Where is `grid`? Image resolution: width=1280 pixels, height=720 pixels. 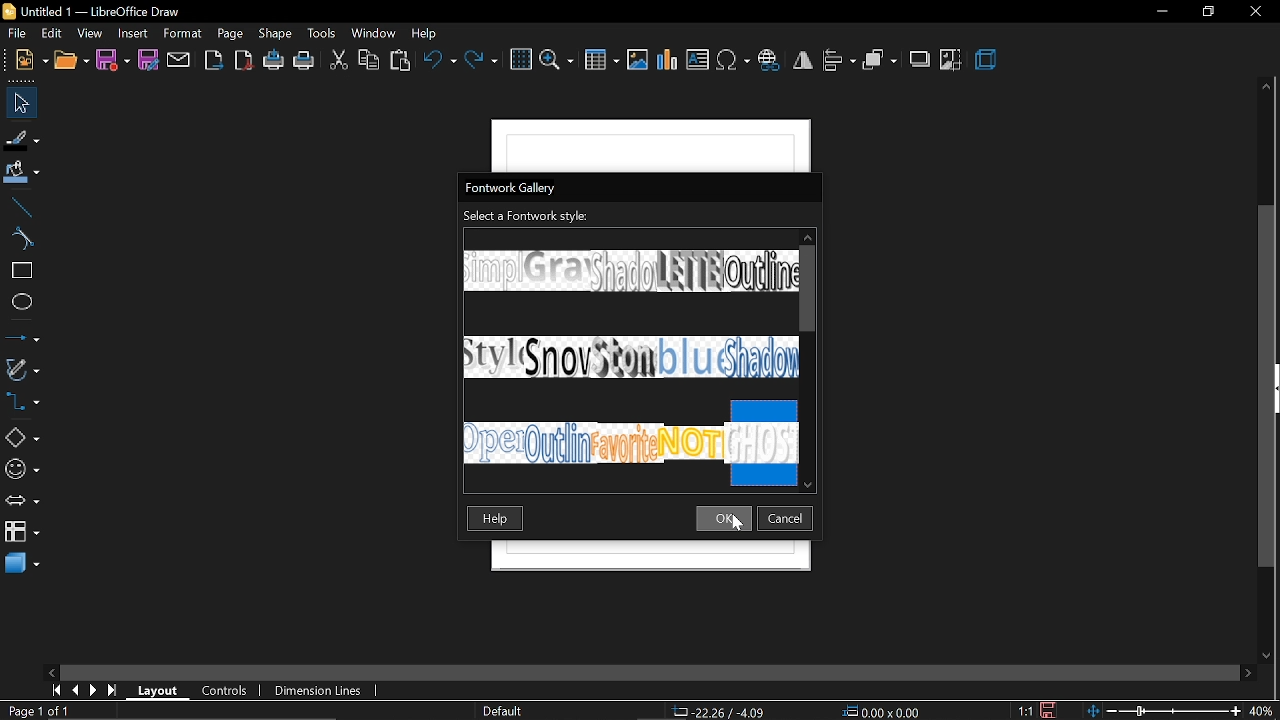 grid is located at coordinates (521, 60).